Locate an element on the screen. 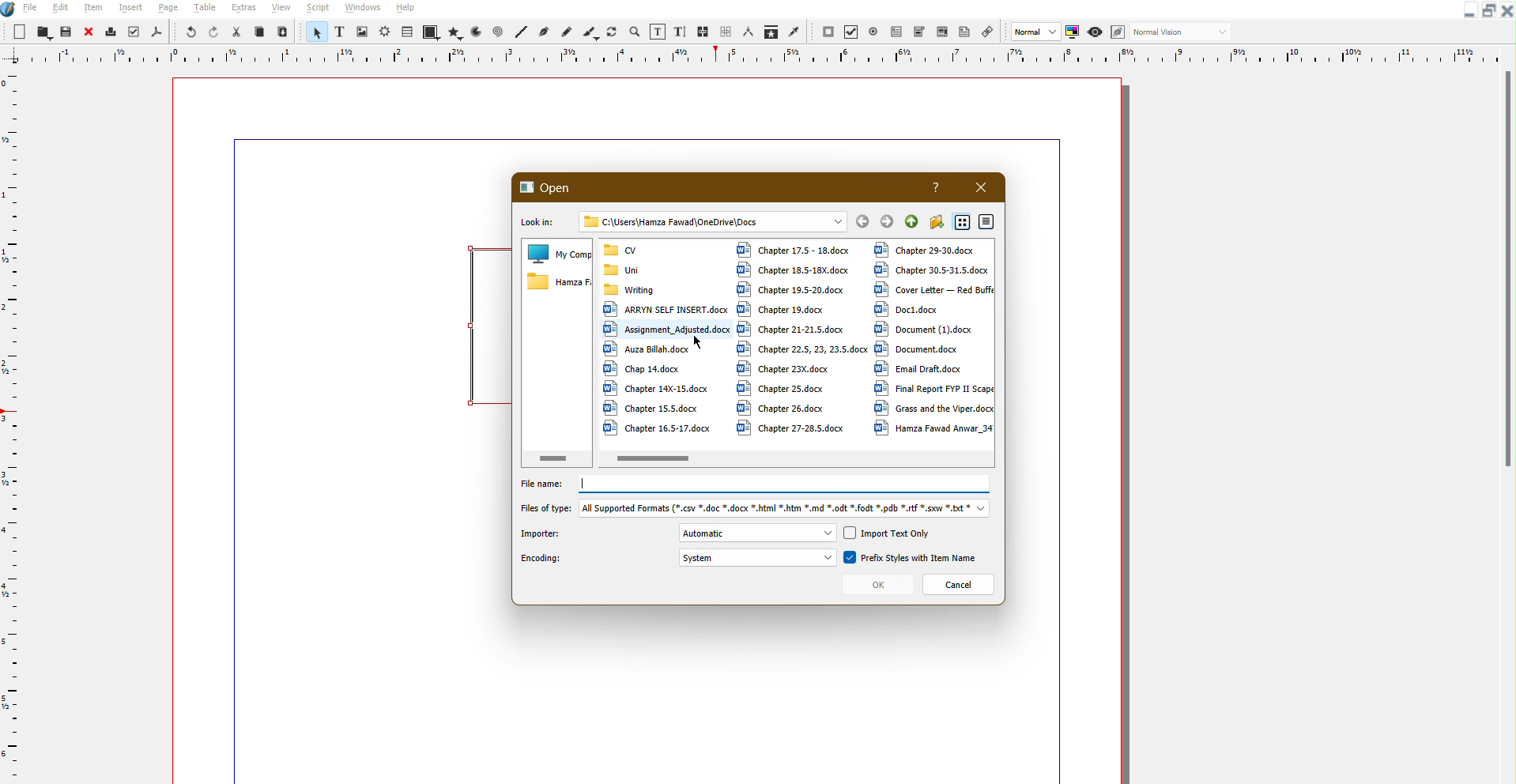  Table is located at coordinates (409, 32).